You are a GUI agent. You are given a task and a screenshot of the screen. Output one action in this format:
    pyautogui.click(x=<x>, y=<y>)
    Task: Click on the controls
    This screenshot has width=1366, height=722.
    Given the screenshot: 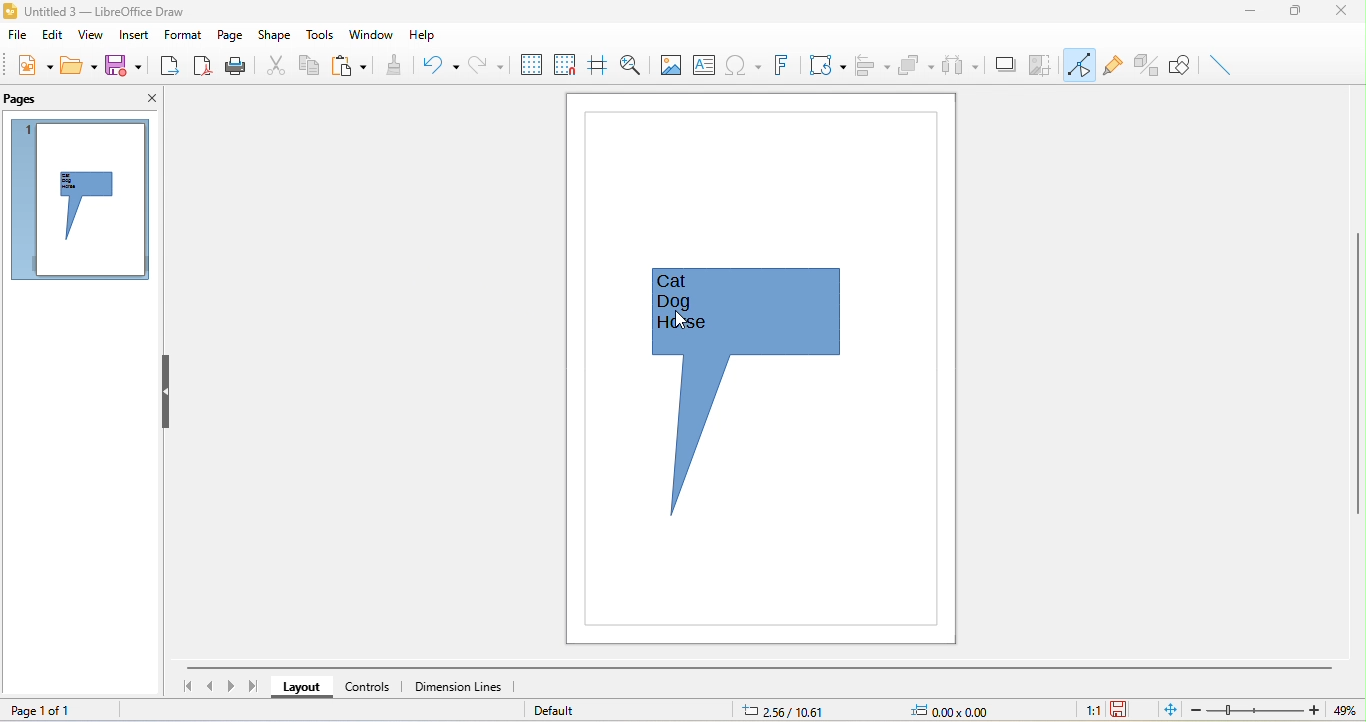 What is the action you would take?
    pyautogui.click(x=371, y=686)
    